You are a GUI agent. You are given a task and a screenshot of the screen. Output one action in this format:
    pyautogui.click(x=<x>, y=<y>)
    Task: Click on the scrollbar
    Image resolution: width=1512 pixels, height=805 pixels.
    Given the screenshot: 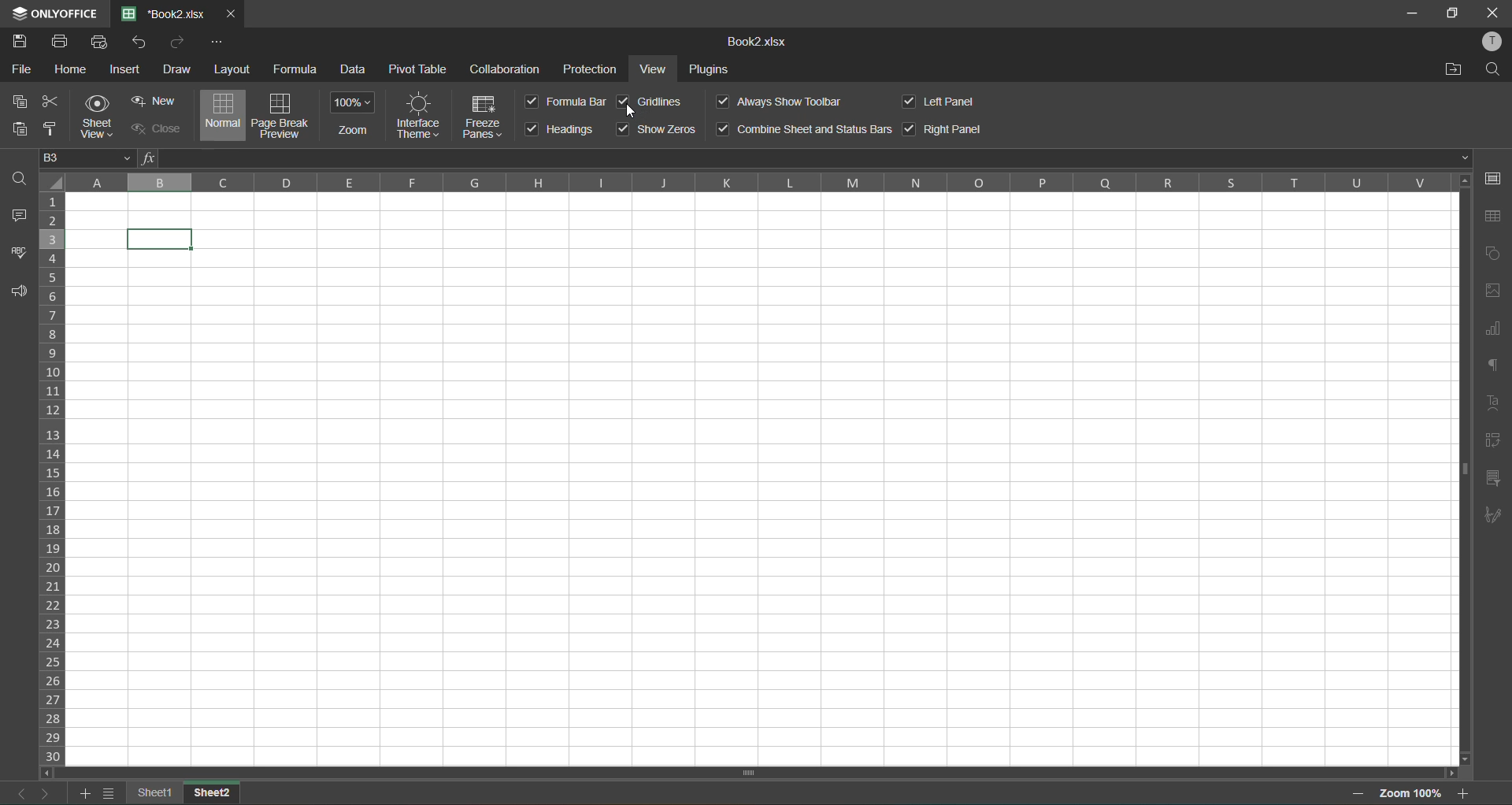 What is the action you would take?
    pyautogui.click(x=750, y=773)
    